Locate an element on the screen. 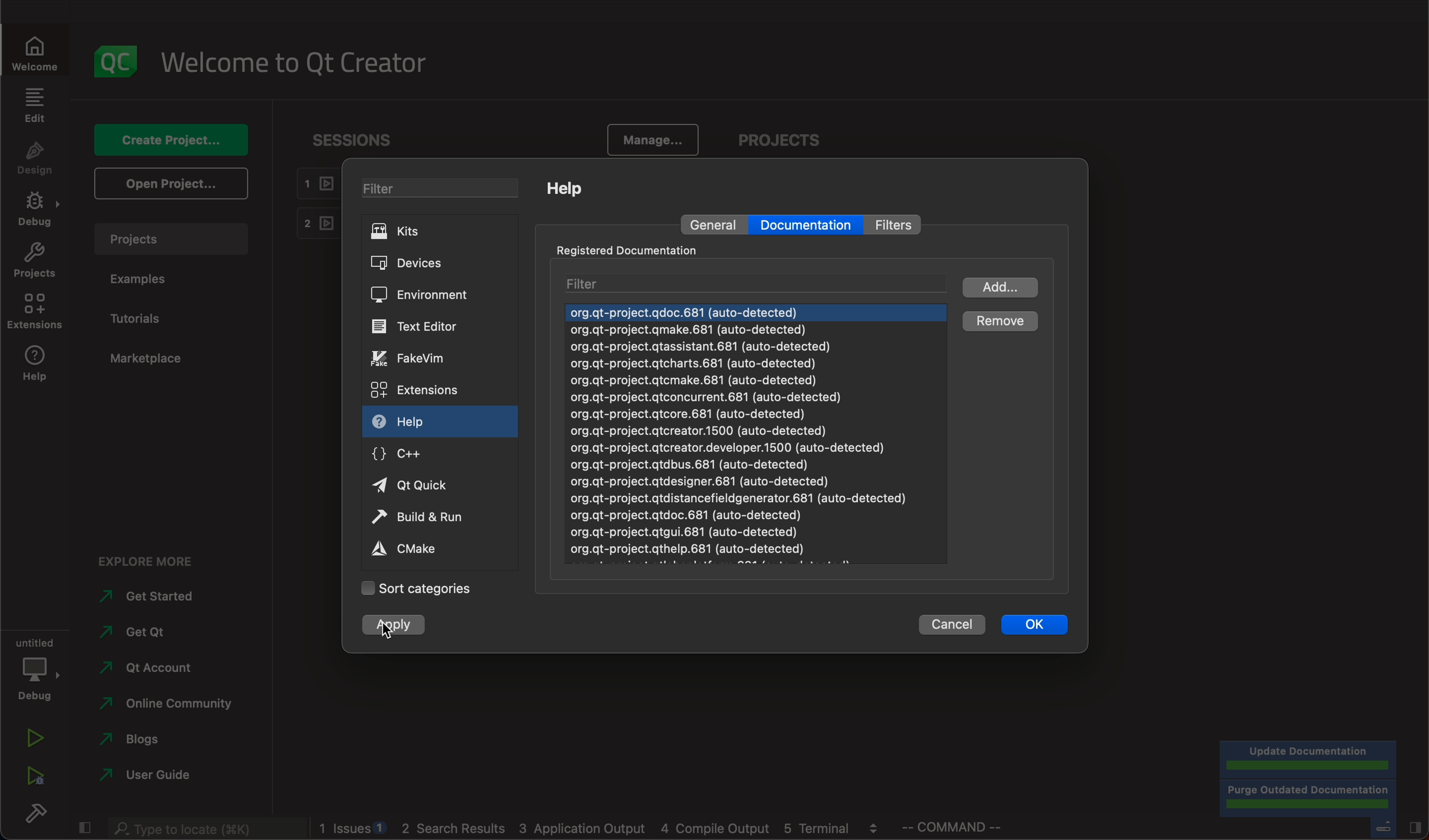 The image size is (1429, 840). run is located at coordinates (35, 737).